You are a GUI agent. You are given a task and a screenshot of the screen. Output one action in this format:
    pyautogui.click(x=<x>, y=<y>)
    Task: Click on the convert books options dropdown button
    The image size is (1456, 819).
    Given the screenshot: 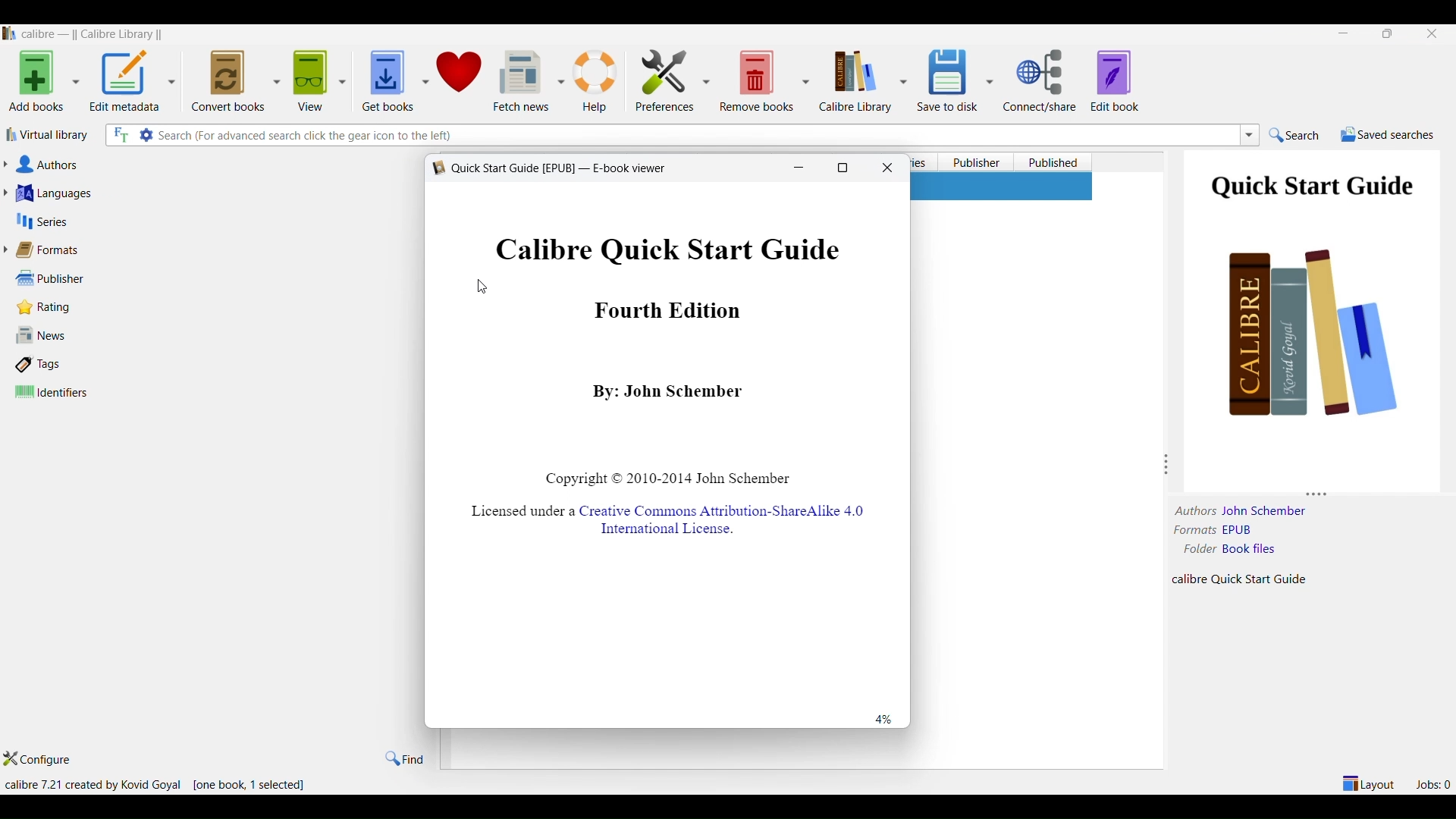 What is the action you would take?
    pyautogui.click(x=275, y=79)
    